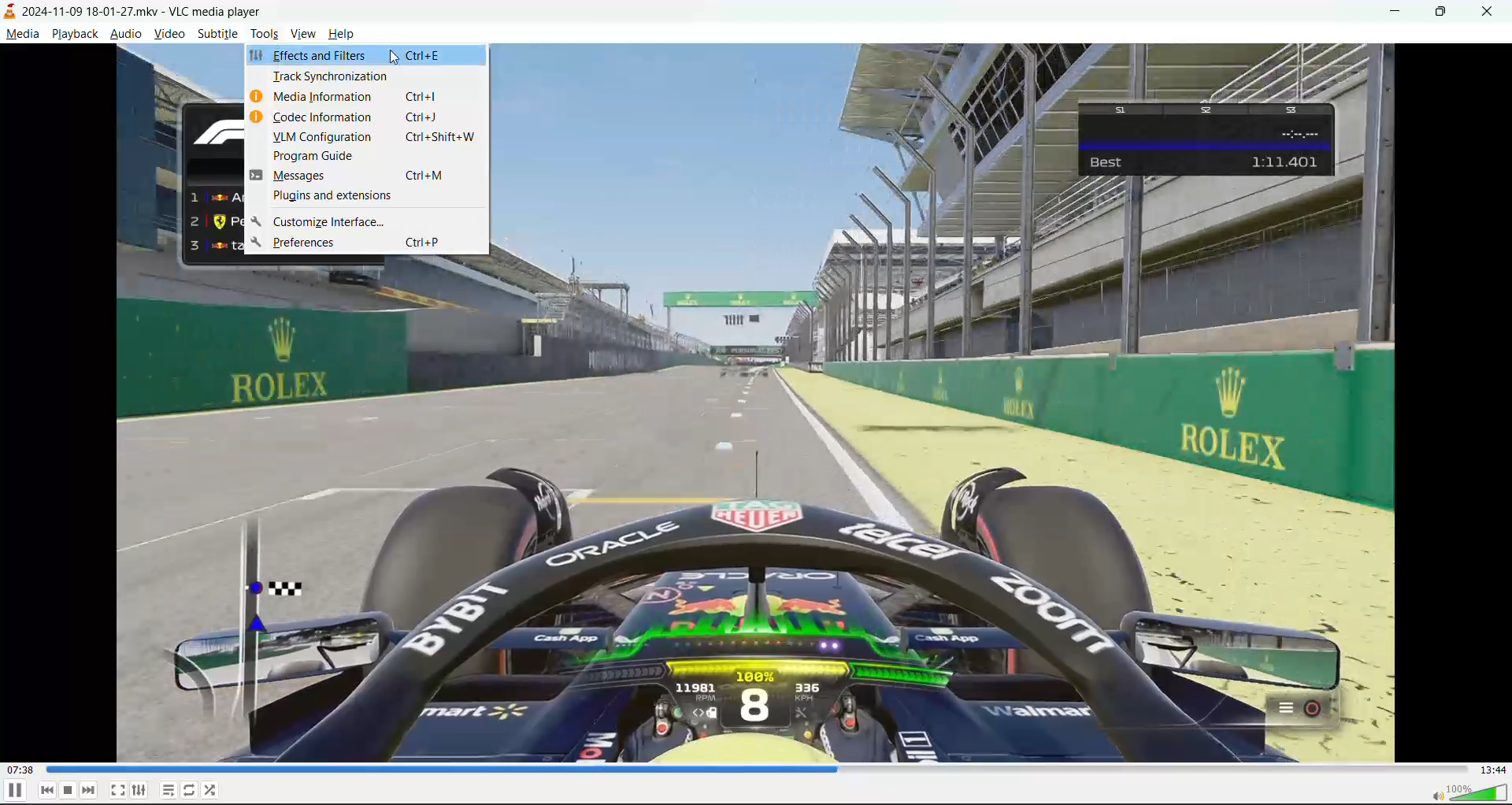 The height and width of the screenshot is (805, 1512). Describe the element at coordinates (343, 33) in the screenshot. I see `help` at that location.